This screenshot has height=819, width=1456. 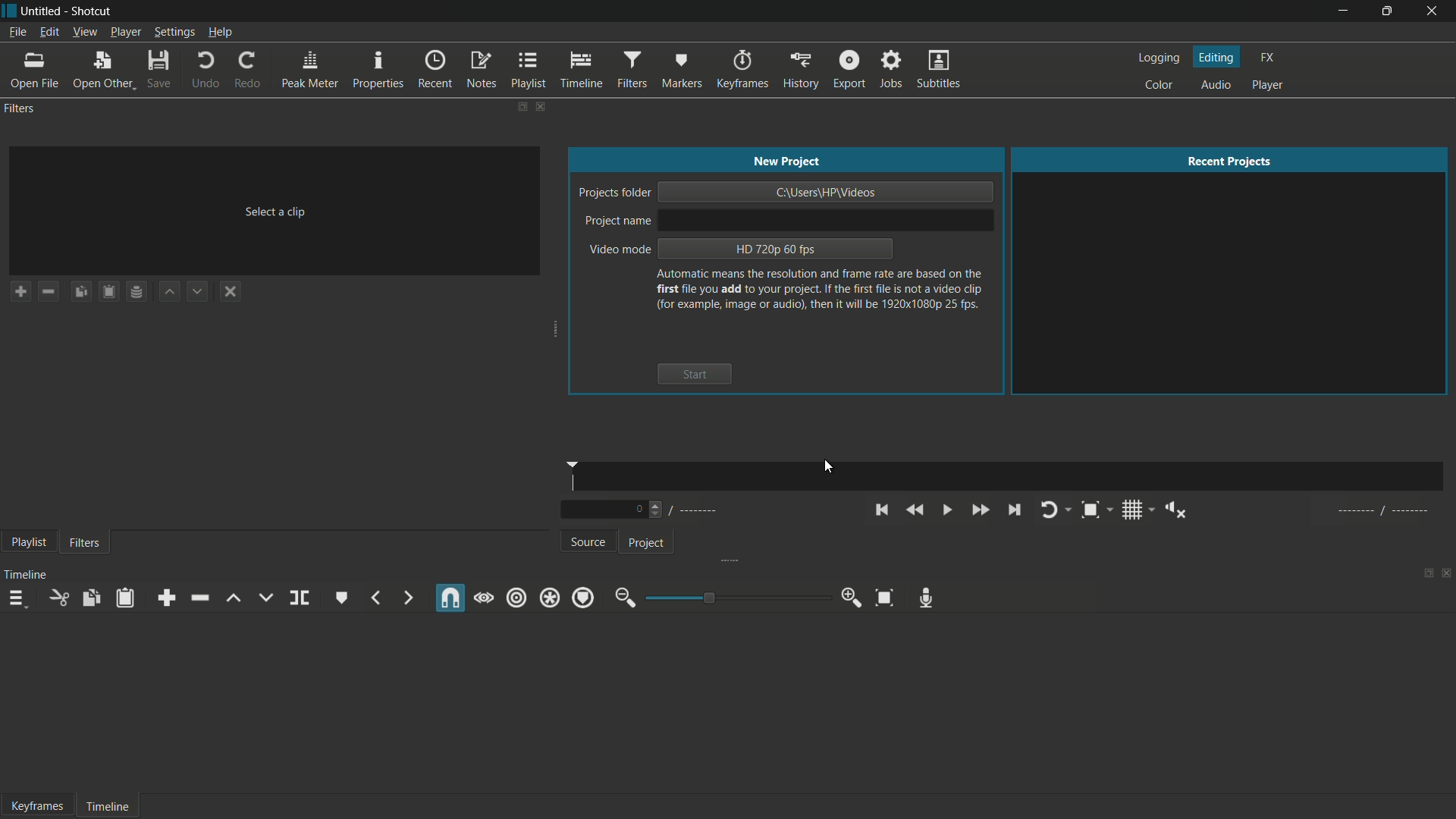 What do you see at coordinates (451, 598) in the screenshot?
I see `snap` at bounding box center [451, 598].